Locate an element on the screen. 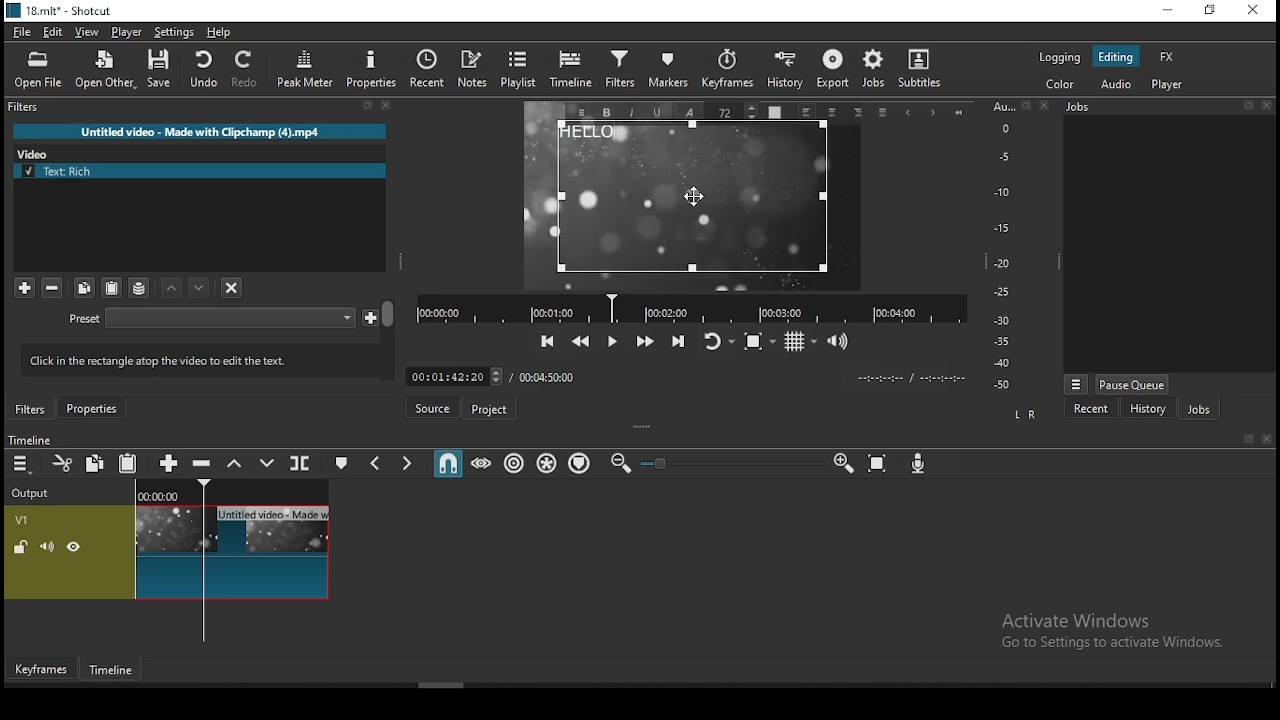  fx is located at coordinates (1168, 56).